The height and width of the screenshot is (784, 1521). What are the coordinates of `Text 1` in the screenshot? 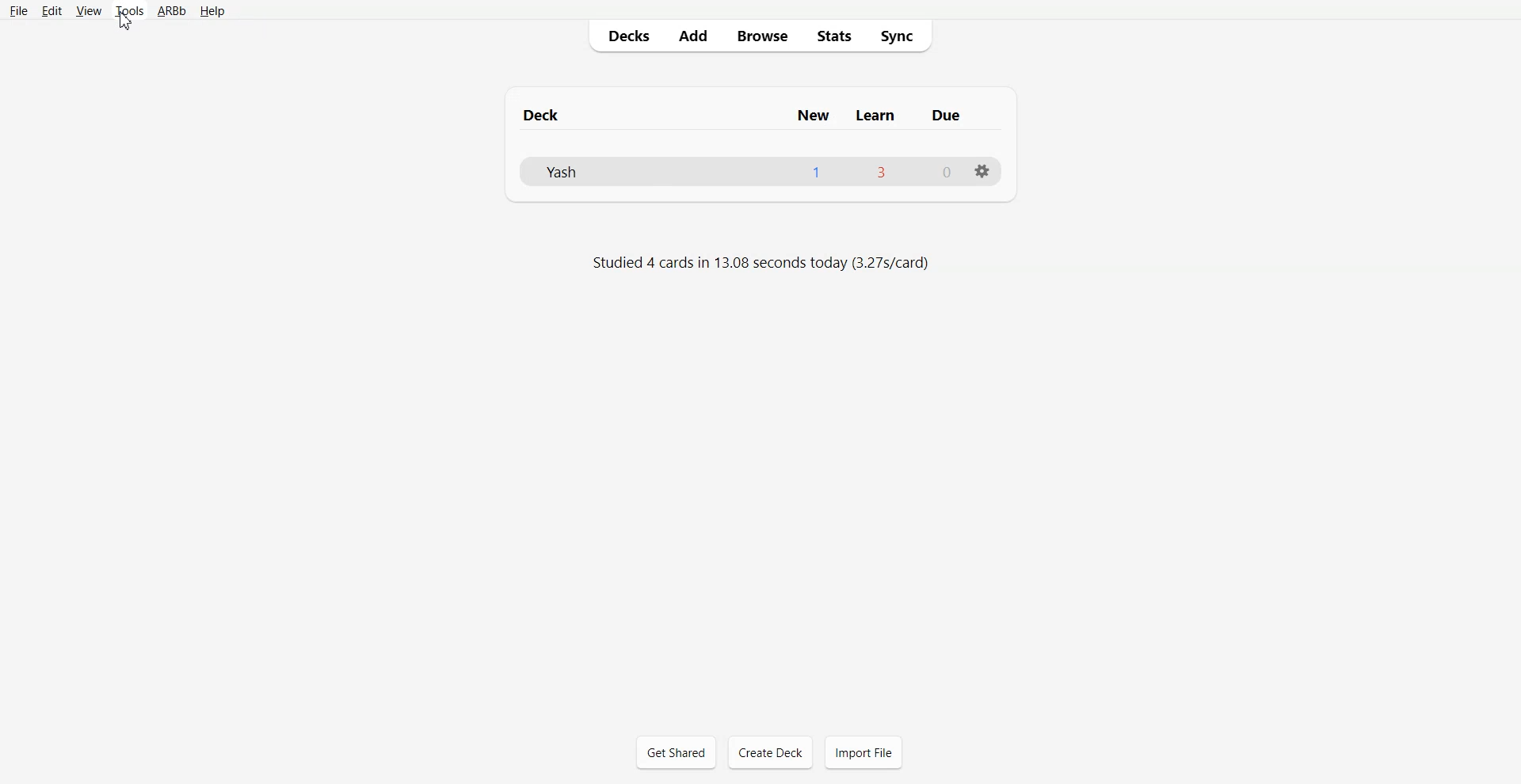 It's located at (752, 114).